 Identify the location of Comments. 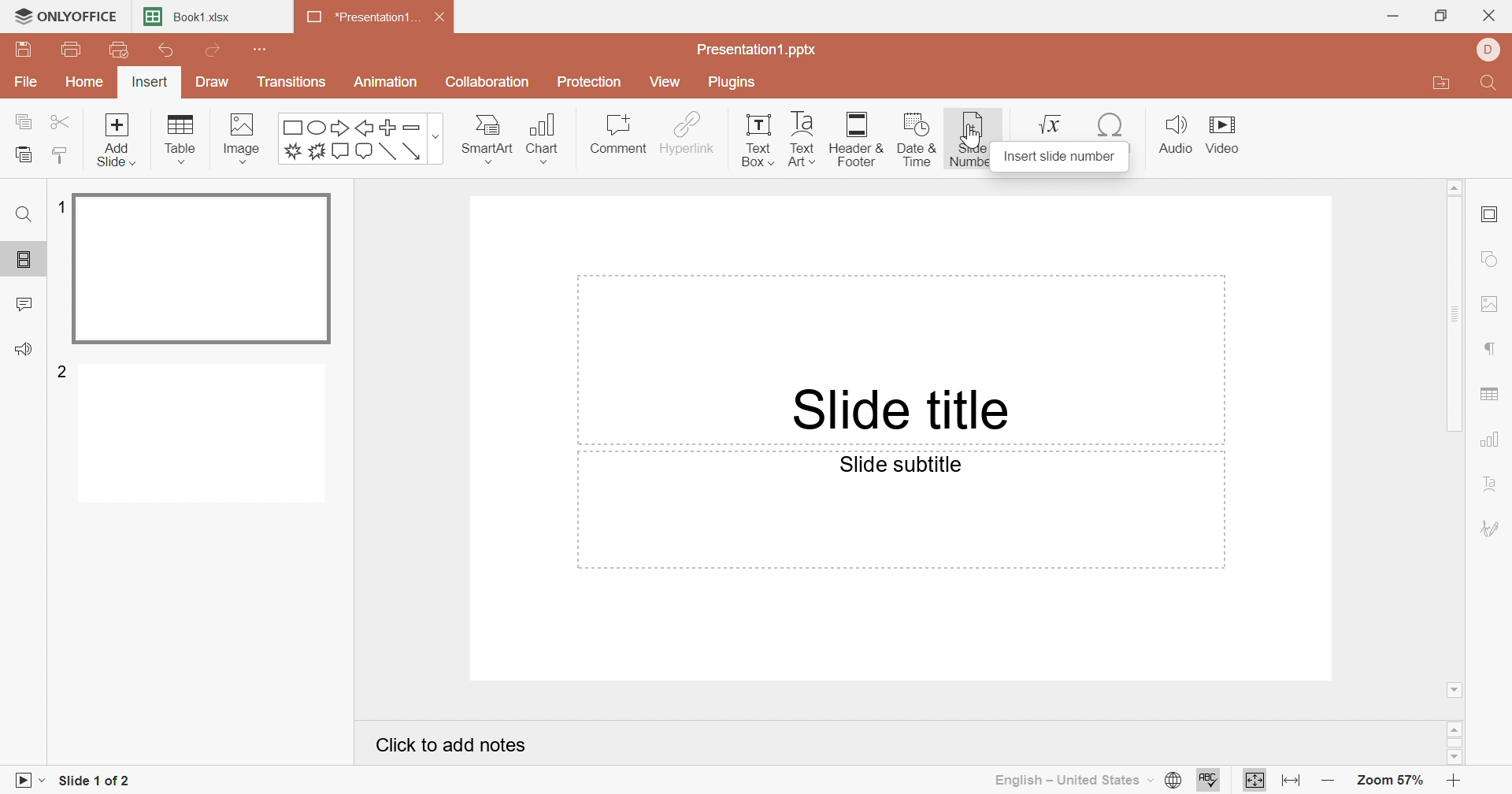
(25, 305).